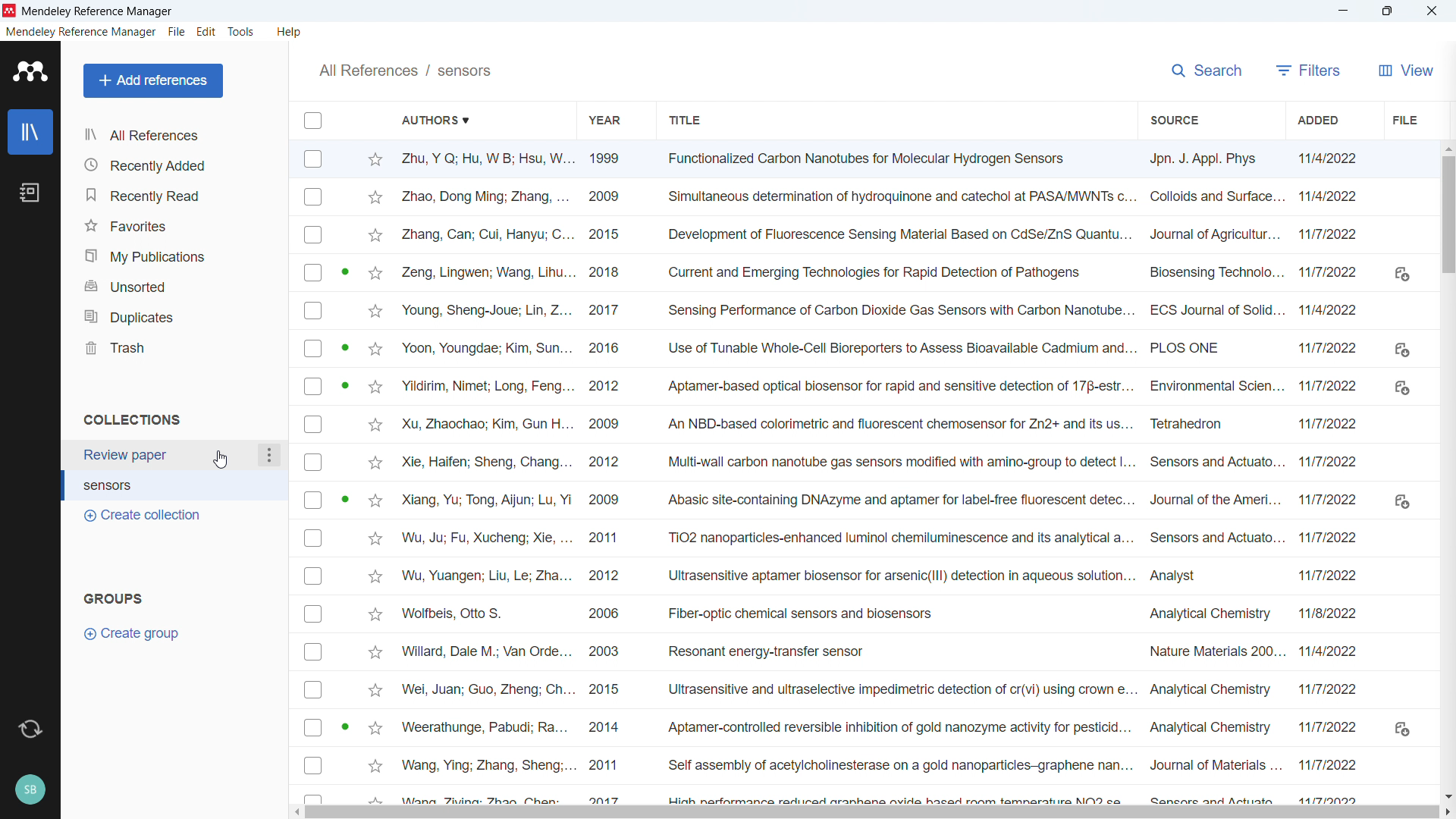 The width and height of the screenshot is (1456, 819). What do you see at coordinates (1401, 504) in the screenshot?
I see `Pdf available to download ` at bounding box center [1401, 504].